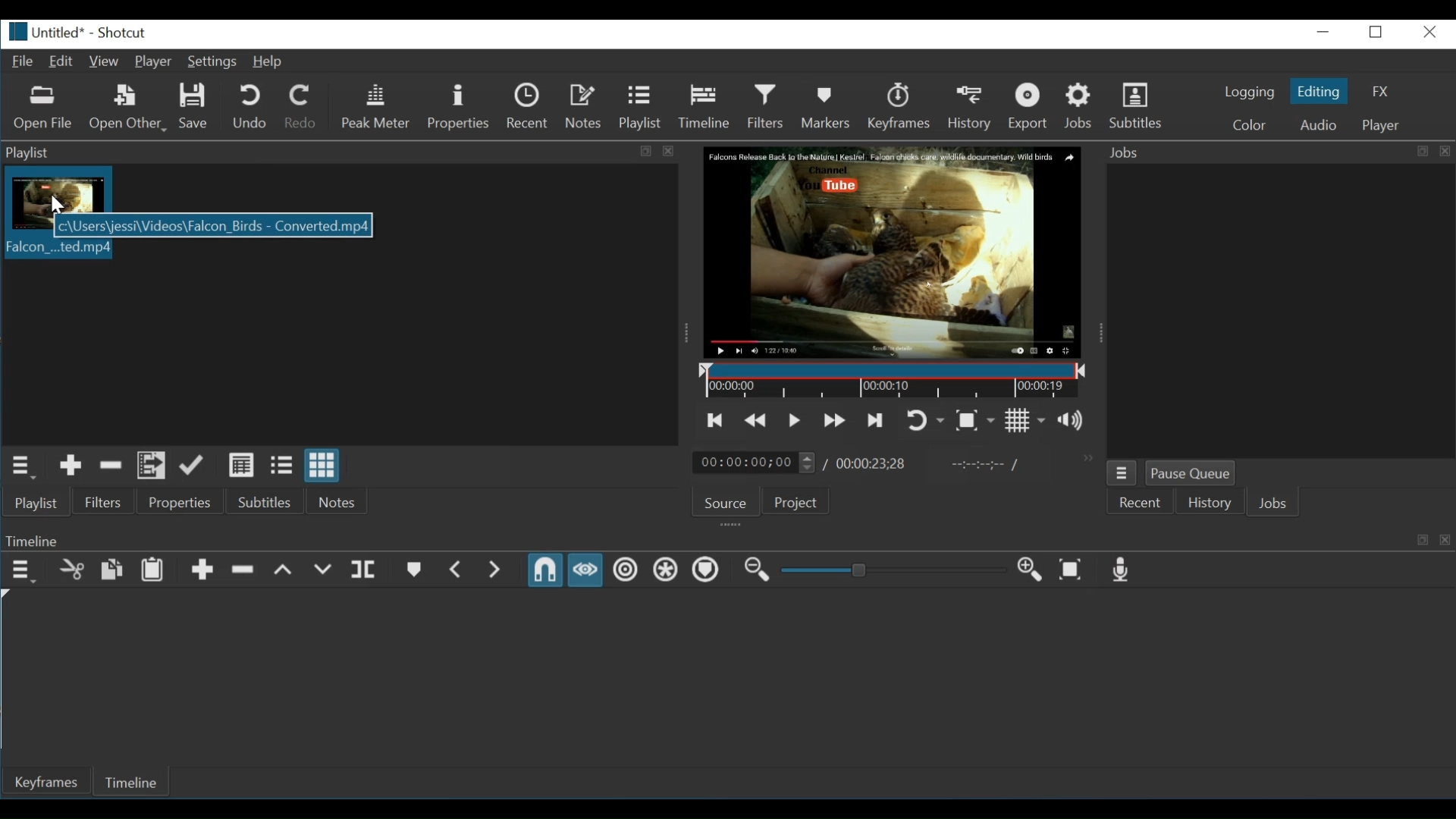  I want to click on Clip thumbnail, so click(55, 189).